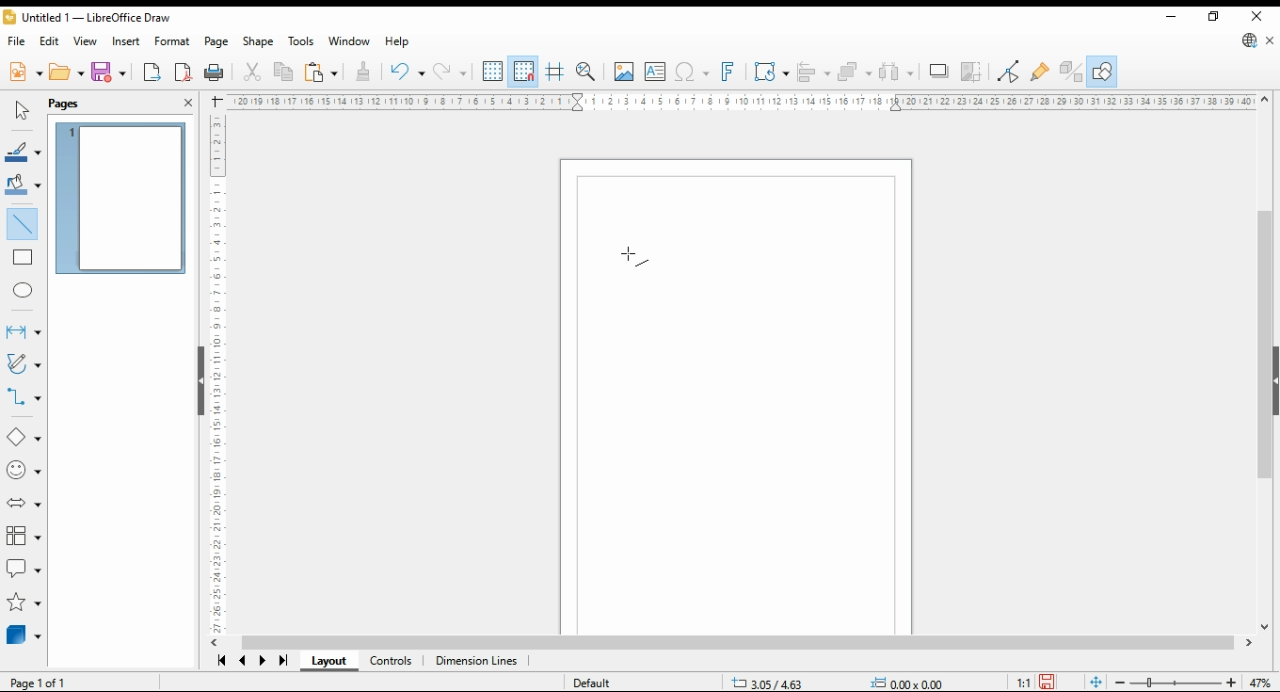 The height and width of the screenshot is (692, 1280). What do you see at coordinates (556, 70) in the screenshot?
I see `helplines for moving` at bounding box center [556, 70].